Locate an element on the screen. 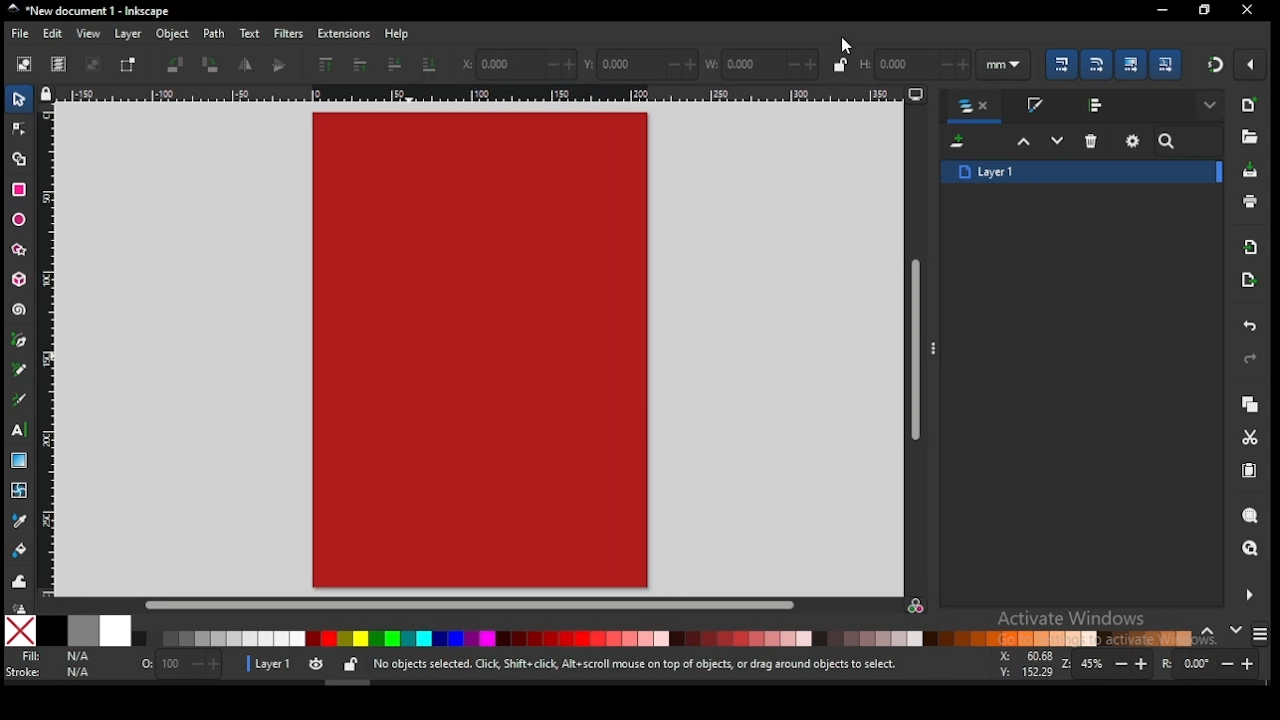 This screenshot has height=720, width=1280. object is located at coordinates (173, 35).